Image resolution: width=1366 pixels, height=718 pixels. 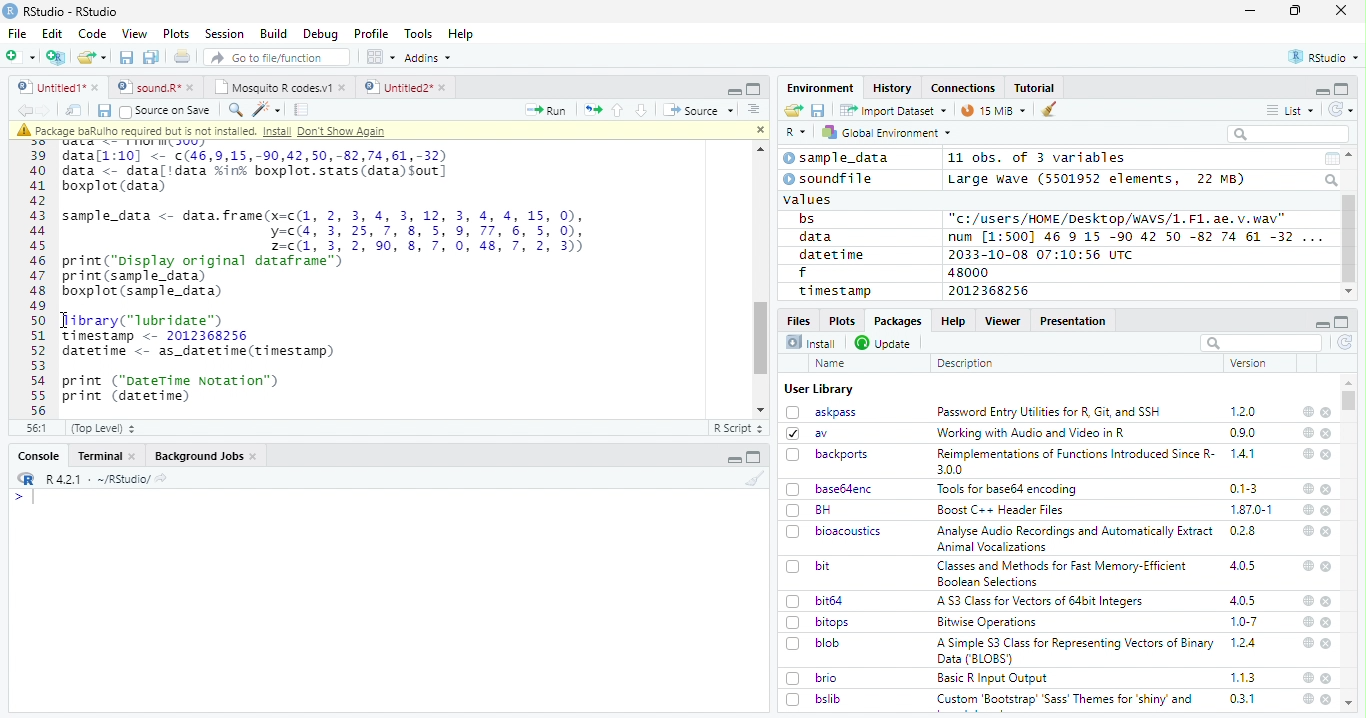 I want to click on timestamp, so click(x=834, y=290).